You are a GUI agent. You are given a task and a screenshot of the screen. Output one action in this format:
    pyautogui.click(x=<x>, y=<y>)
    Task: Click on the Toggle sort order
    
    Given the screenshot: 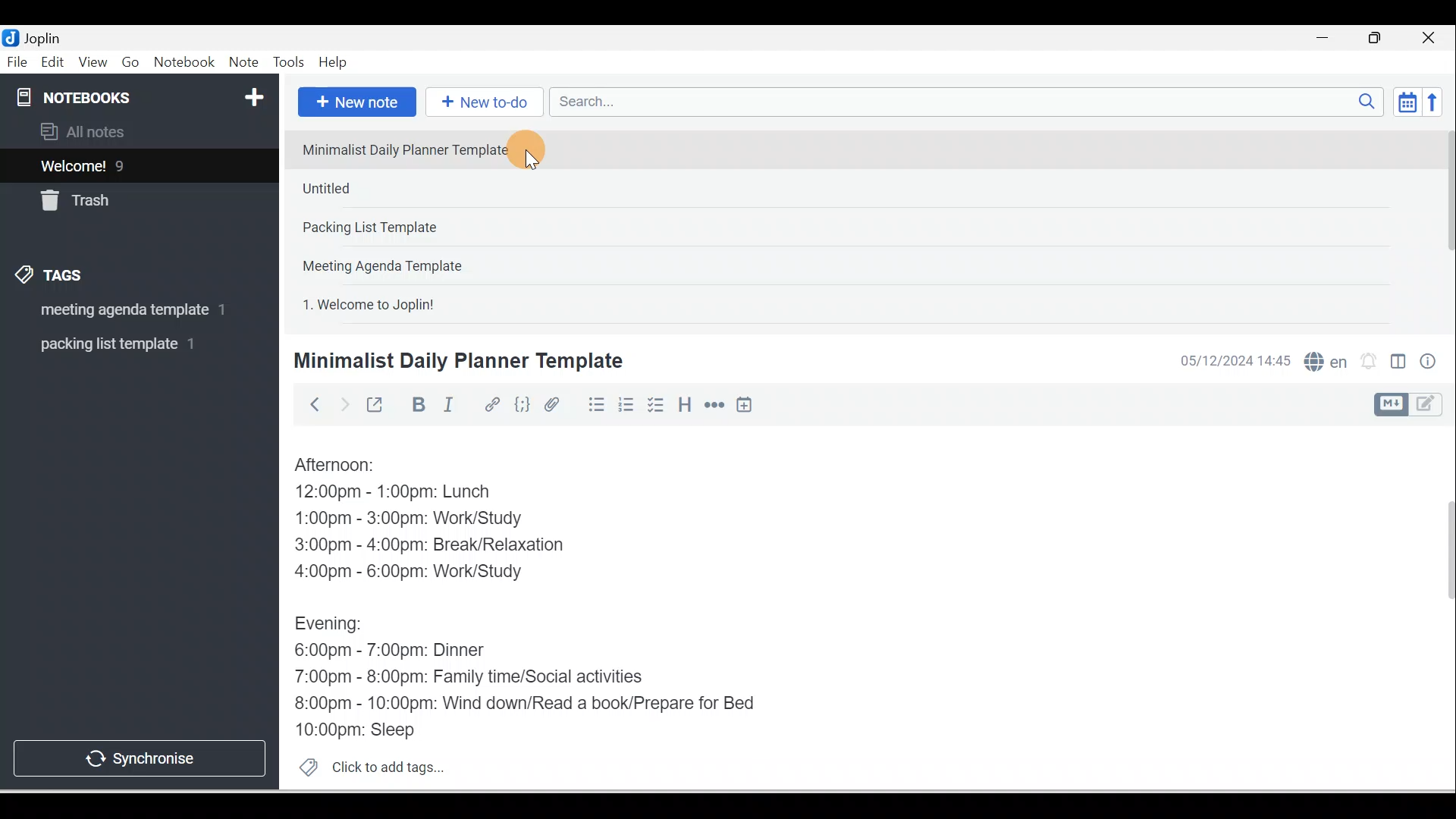 What is the action you would take?
    pyautogui.click(x=1407, y=101)
    